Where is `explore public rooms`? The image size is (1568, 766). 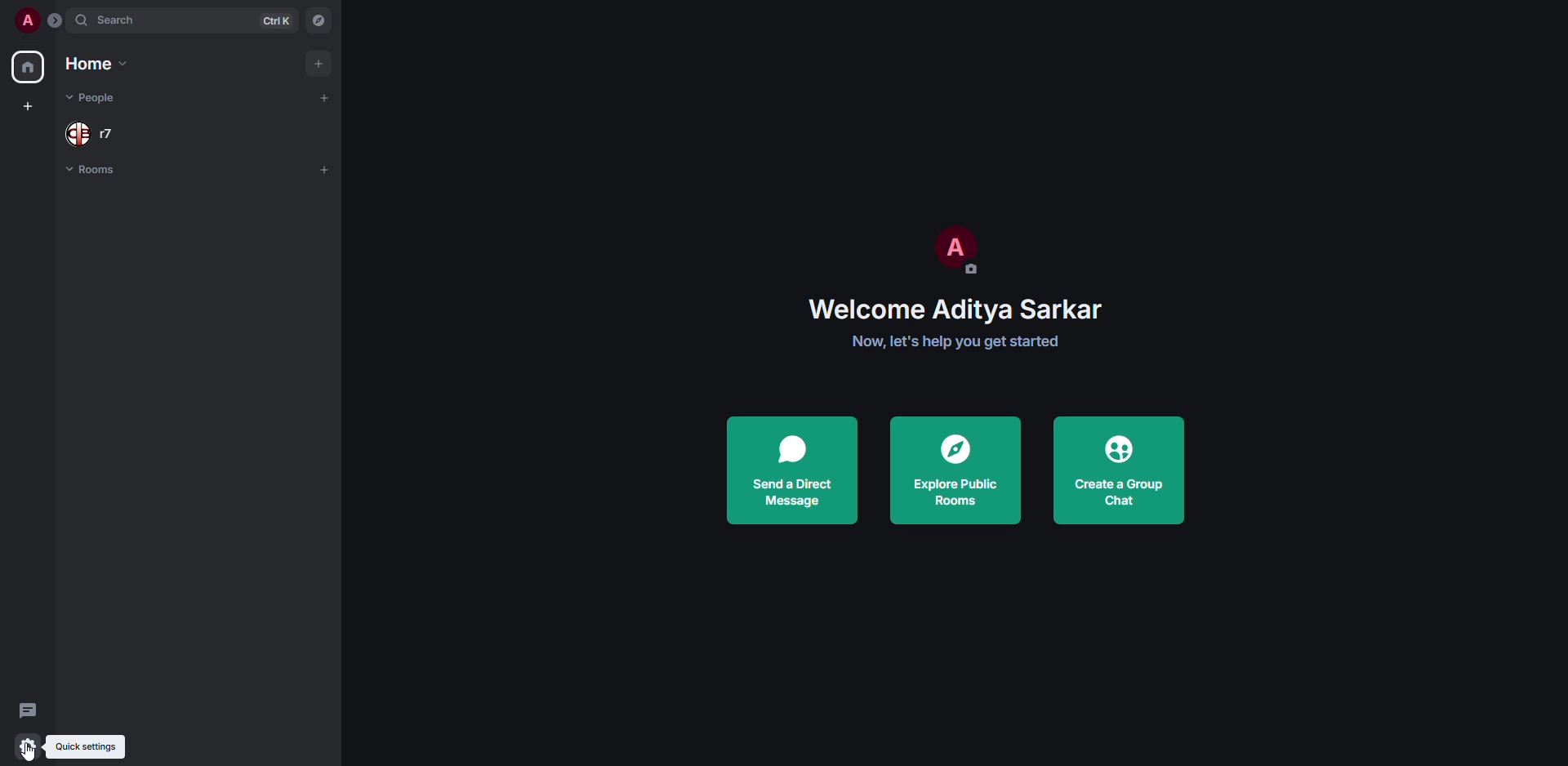 explore public rooms is located at coordinates (952, 472).